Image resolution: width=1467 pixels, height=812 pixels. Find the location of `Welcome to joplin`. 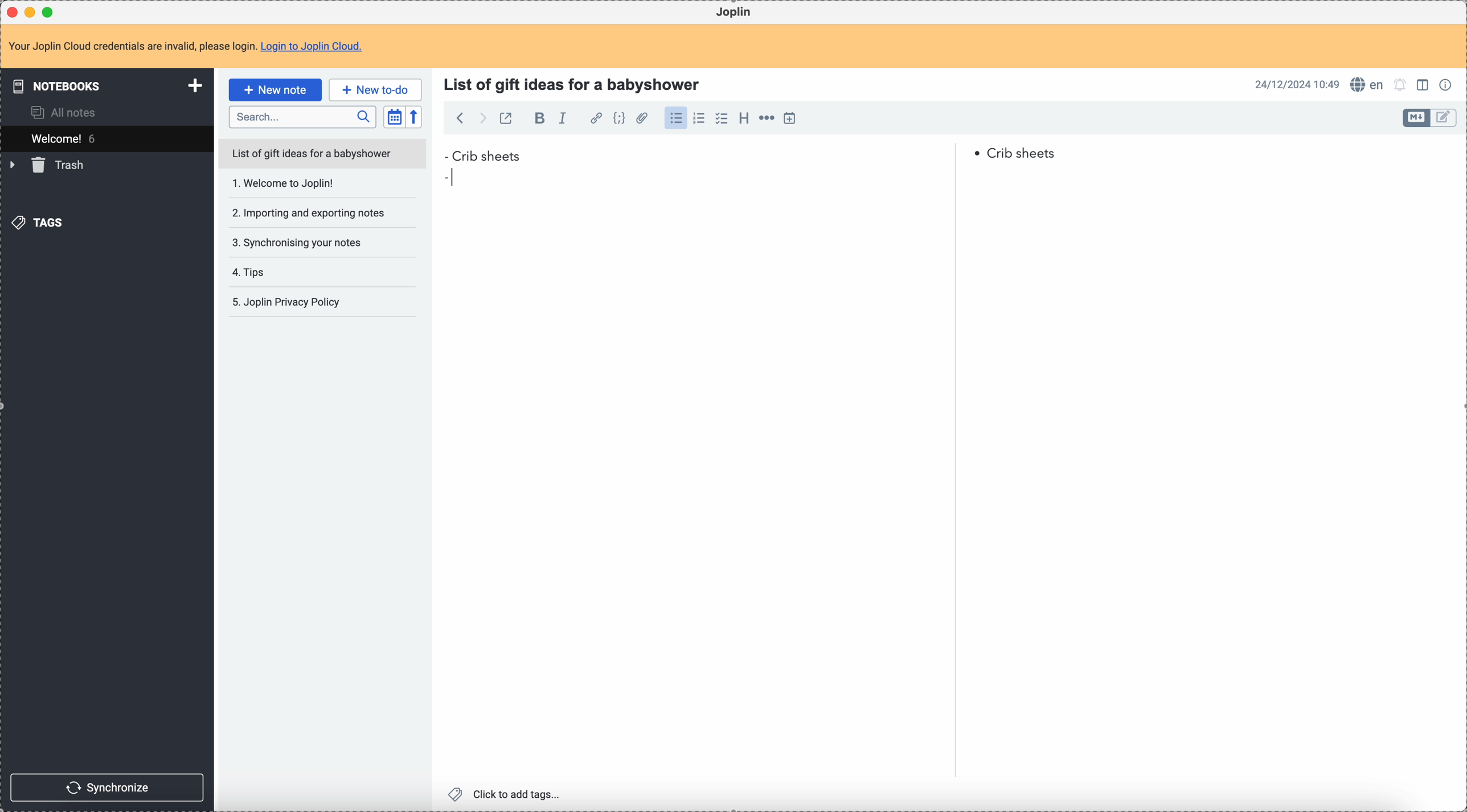

Welcome to joplin is located at coordinates (310, 186).